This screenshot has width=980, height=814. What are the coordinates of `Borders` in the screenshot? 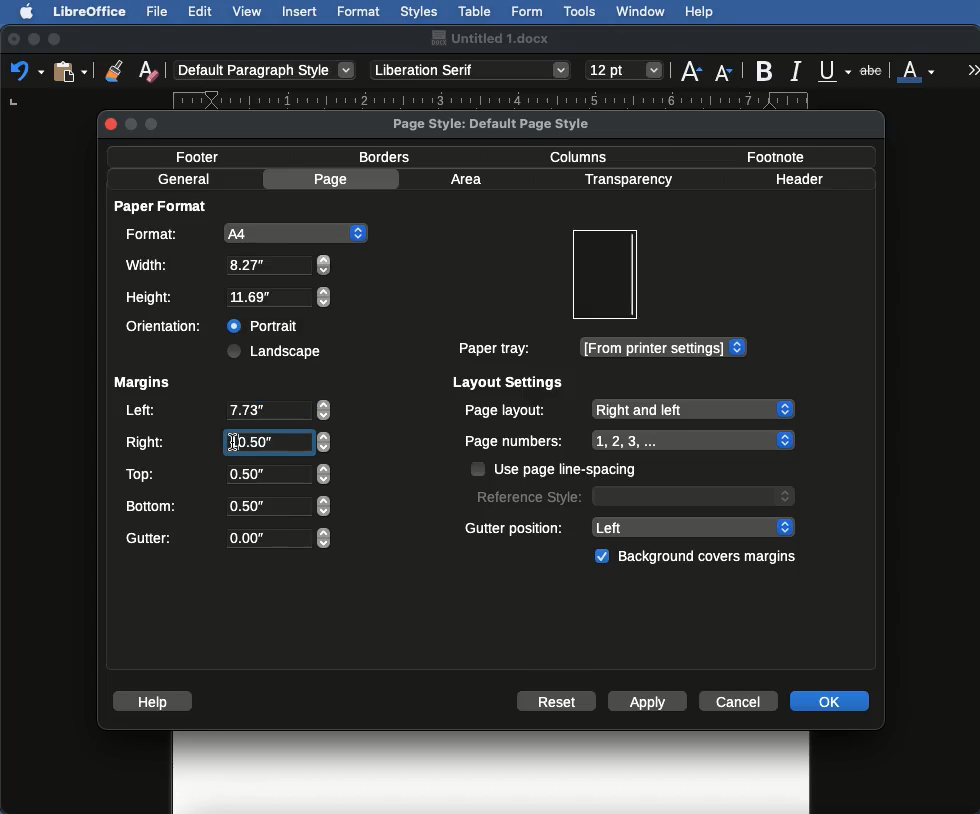 It's located at (386, 157).